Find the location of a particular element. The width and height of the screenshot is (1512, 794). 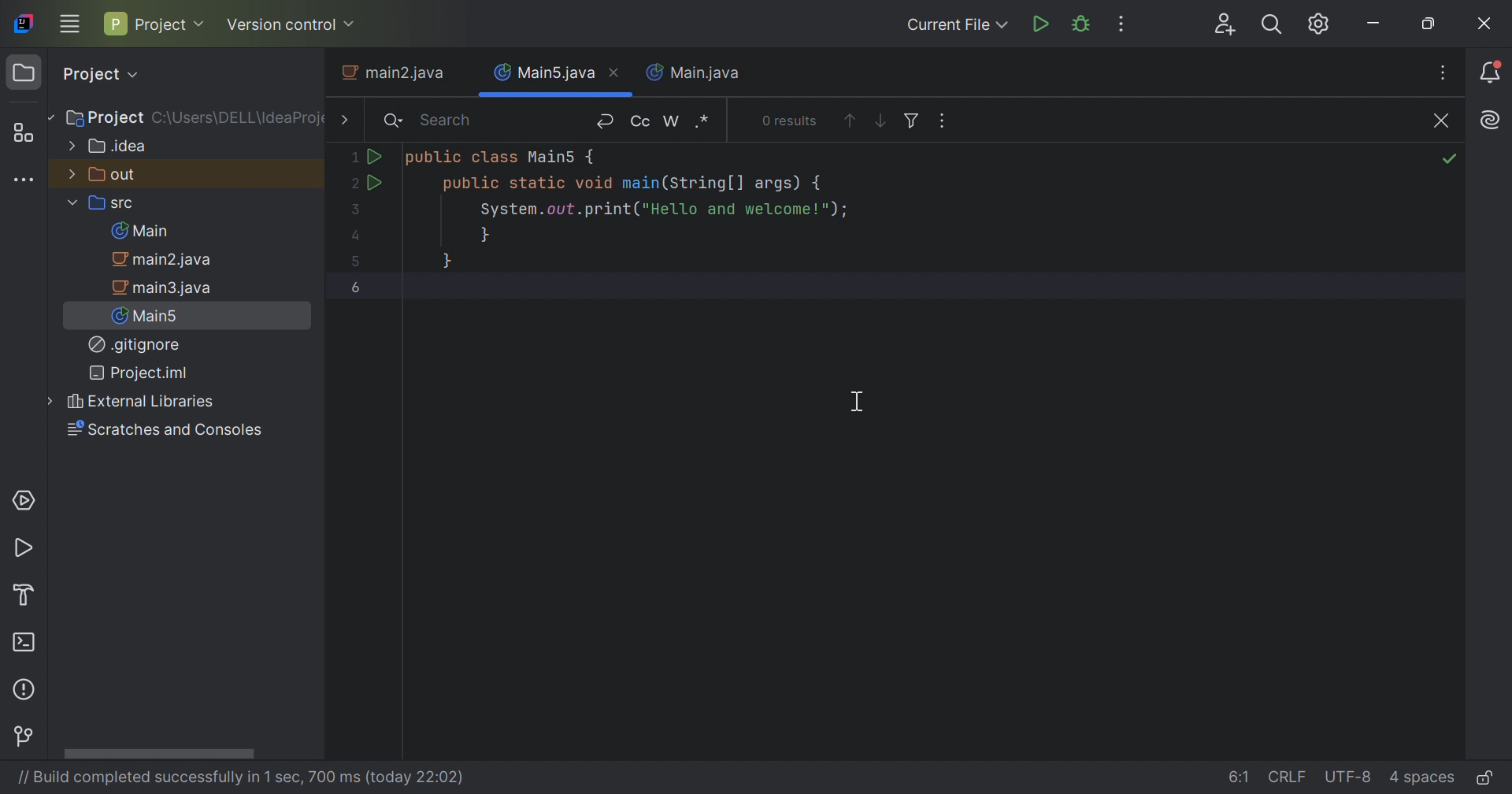

Main Menu is located at coordinates (69, 22).